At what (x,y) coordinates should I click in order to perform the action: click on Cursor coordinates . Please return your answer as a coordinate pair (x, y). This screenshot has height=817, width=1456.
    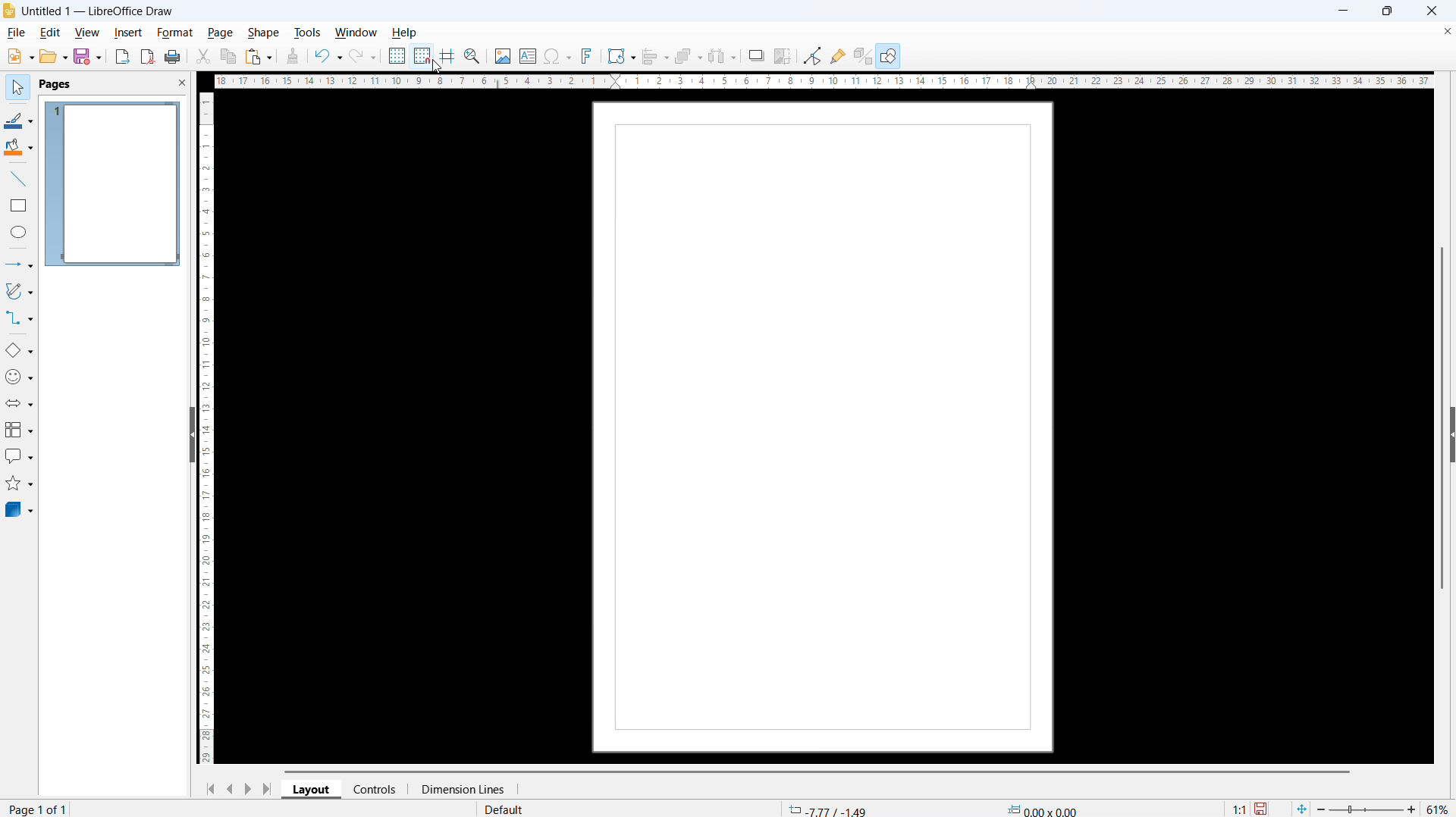
    Looking at the image, I should click on (827, 808).